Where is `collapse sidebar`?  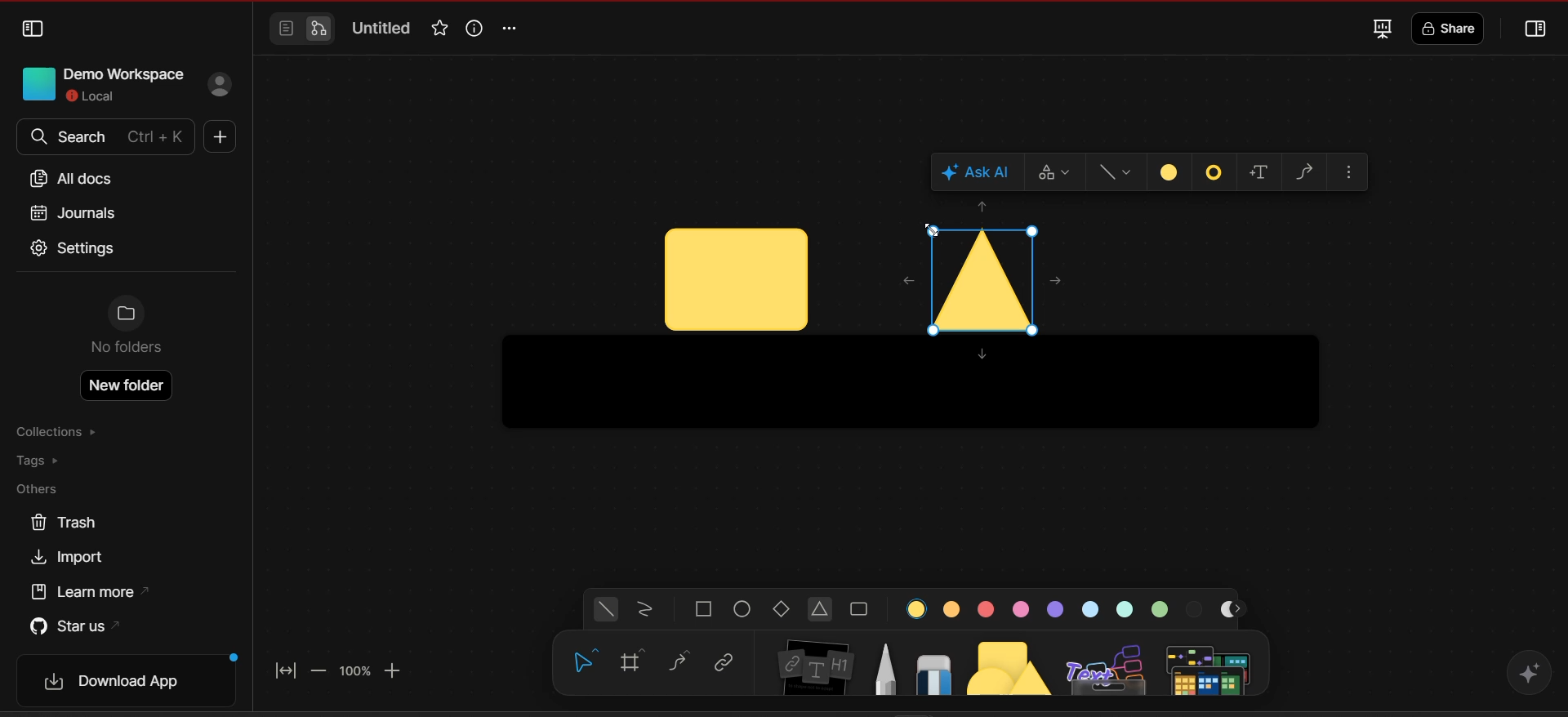 collapse sidebar is located at coordinates (33, 29).